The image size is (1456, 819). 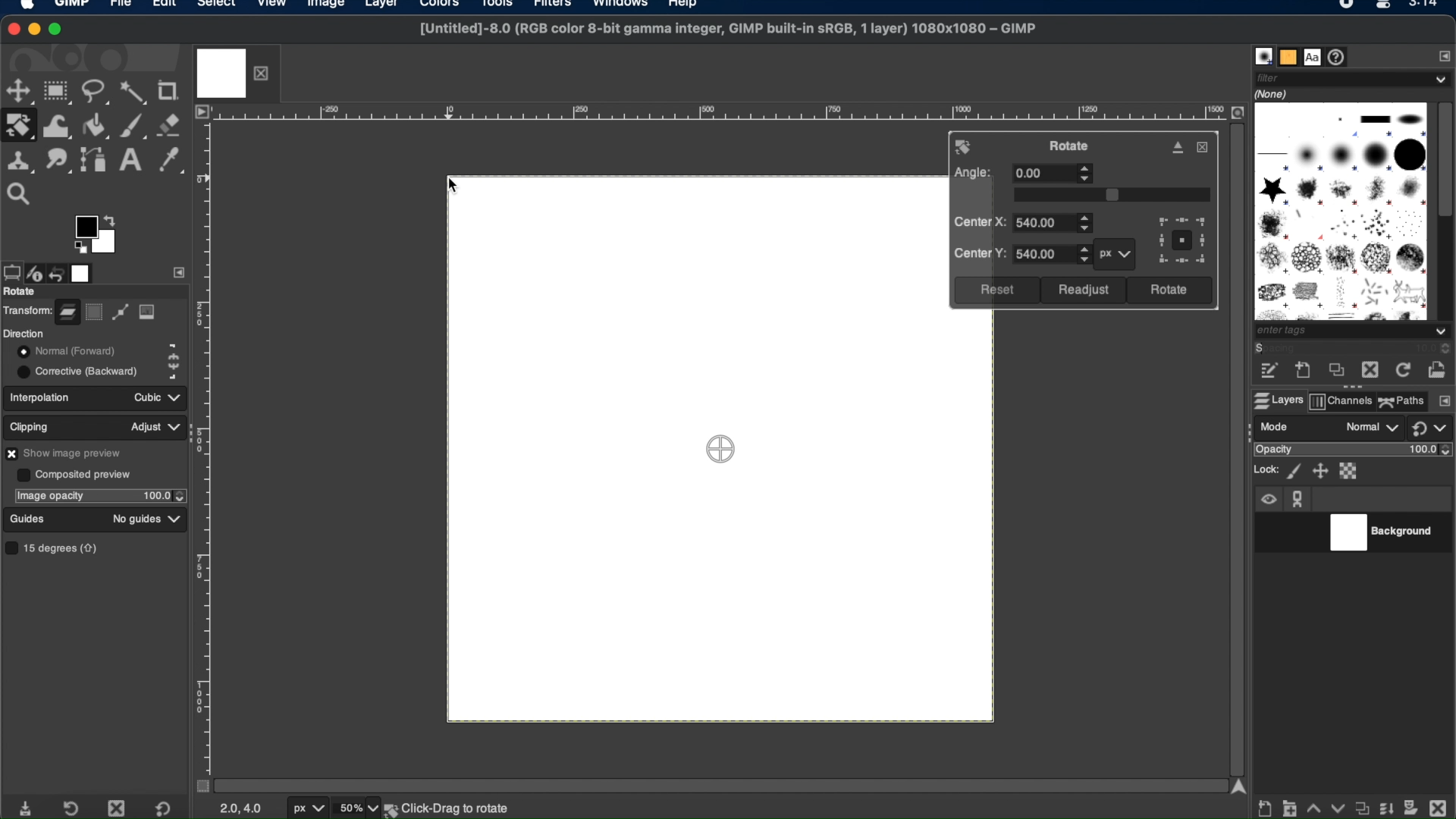 I want to click on layer, so click(x=67, y=309).